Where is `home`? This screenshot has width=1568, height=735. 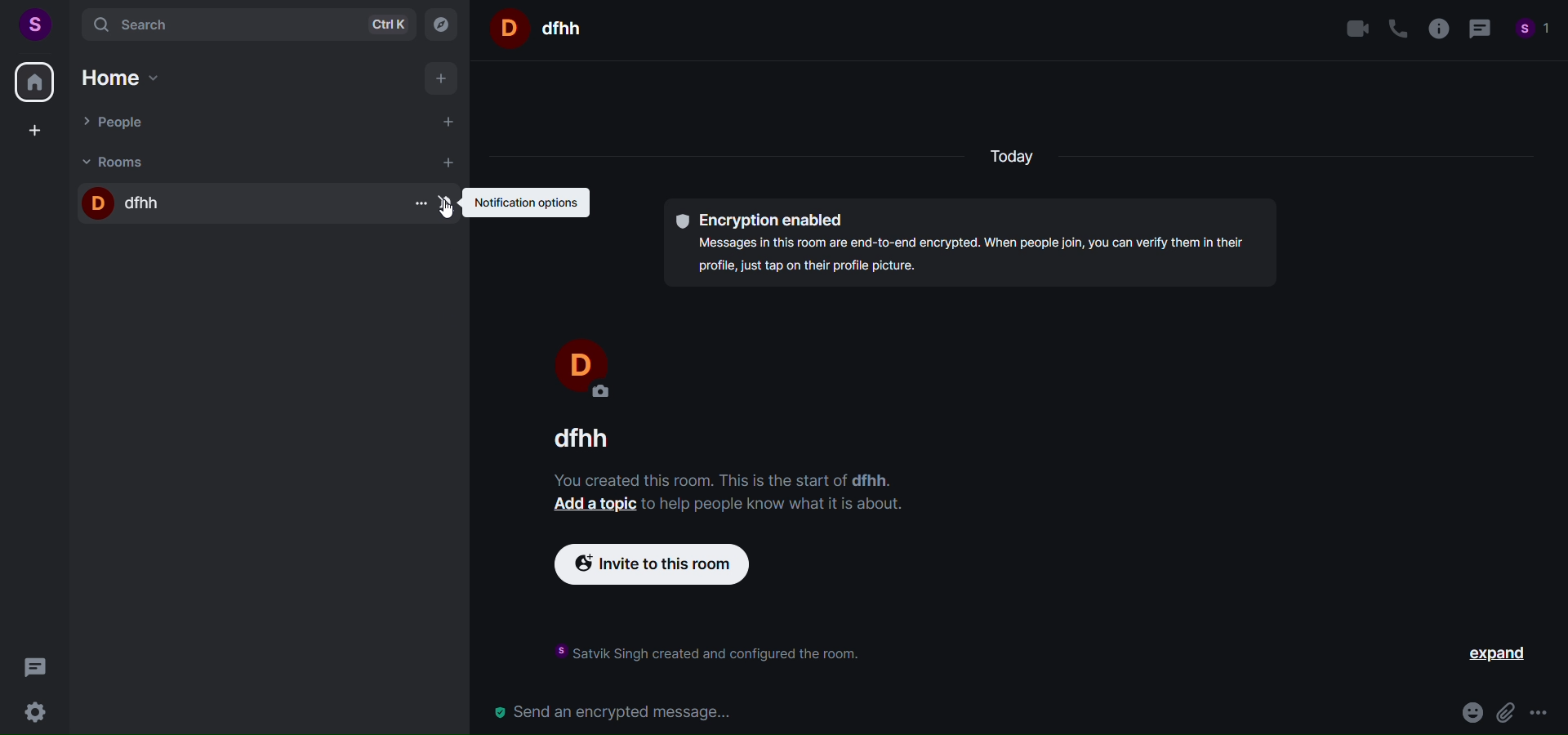 home is located at coordinates (33, 84).